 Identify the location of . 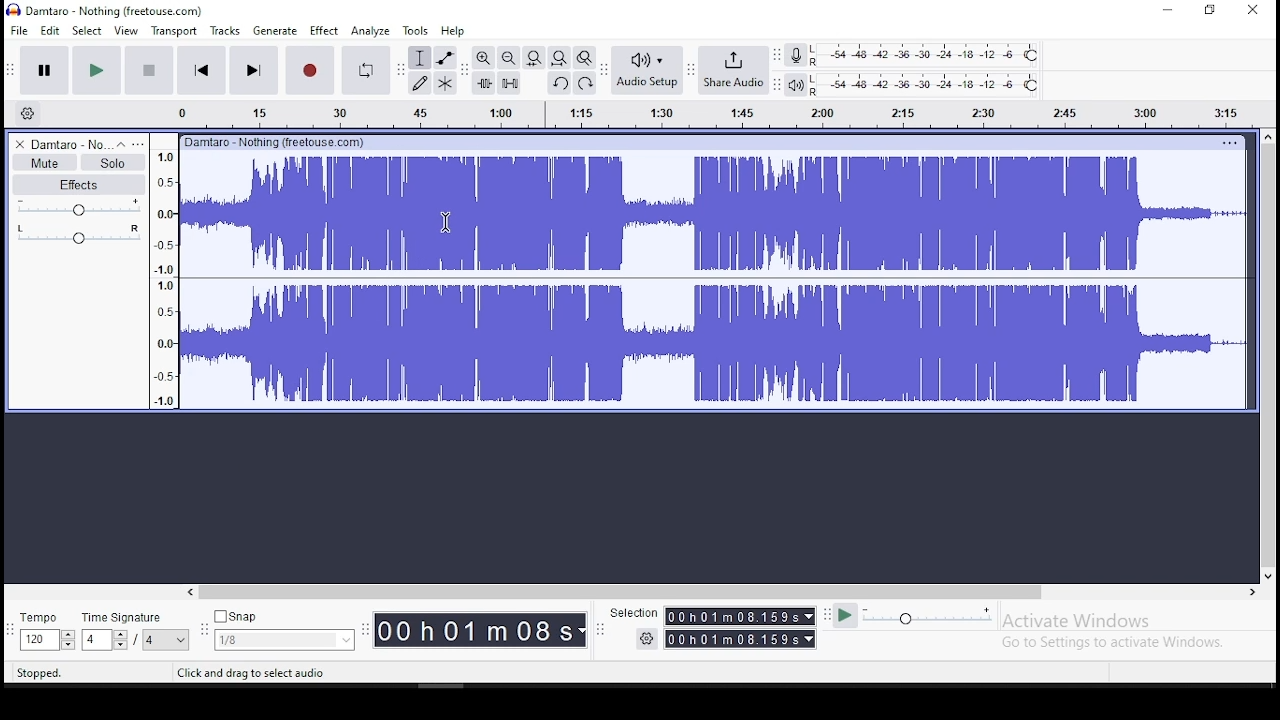
(775, 85).